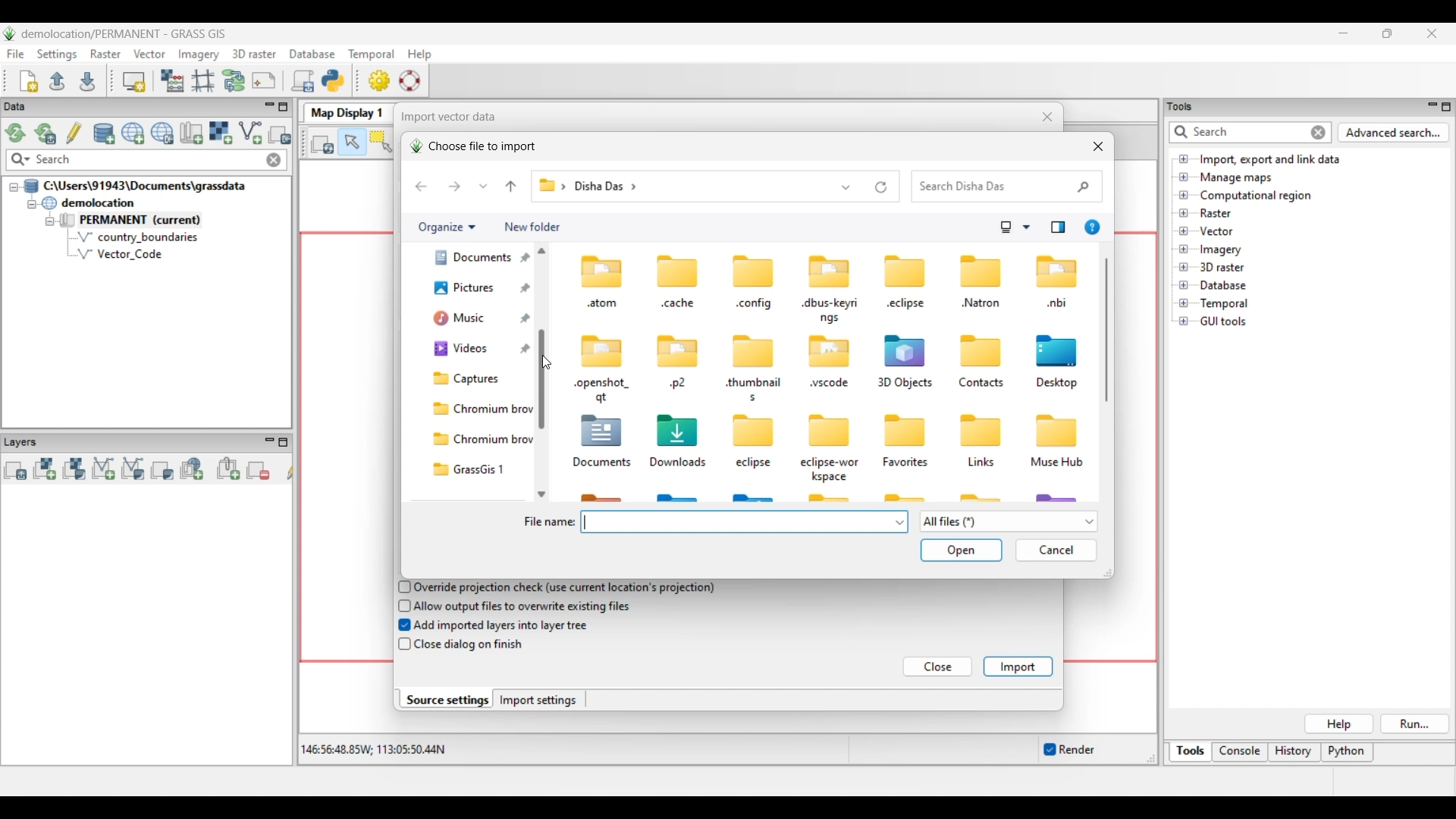  I want to click on icon, so click(748, 431).